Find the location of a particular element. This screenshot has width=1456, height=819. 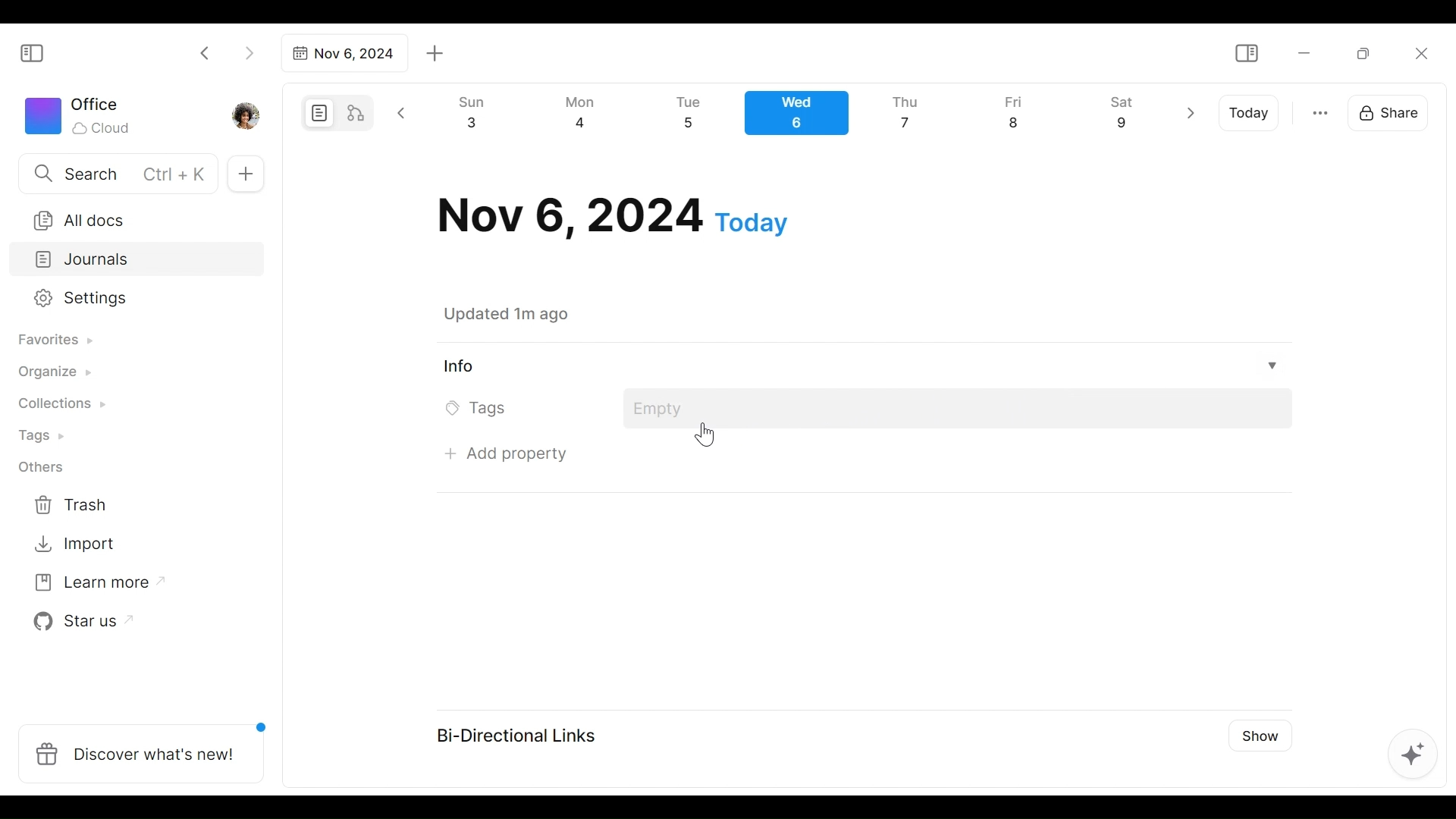

Show is located at coordinates (1255, 734).